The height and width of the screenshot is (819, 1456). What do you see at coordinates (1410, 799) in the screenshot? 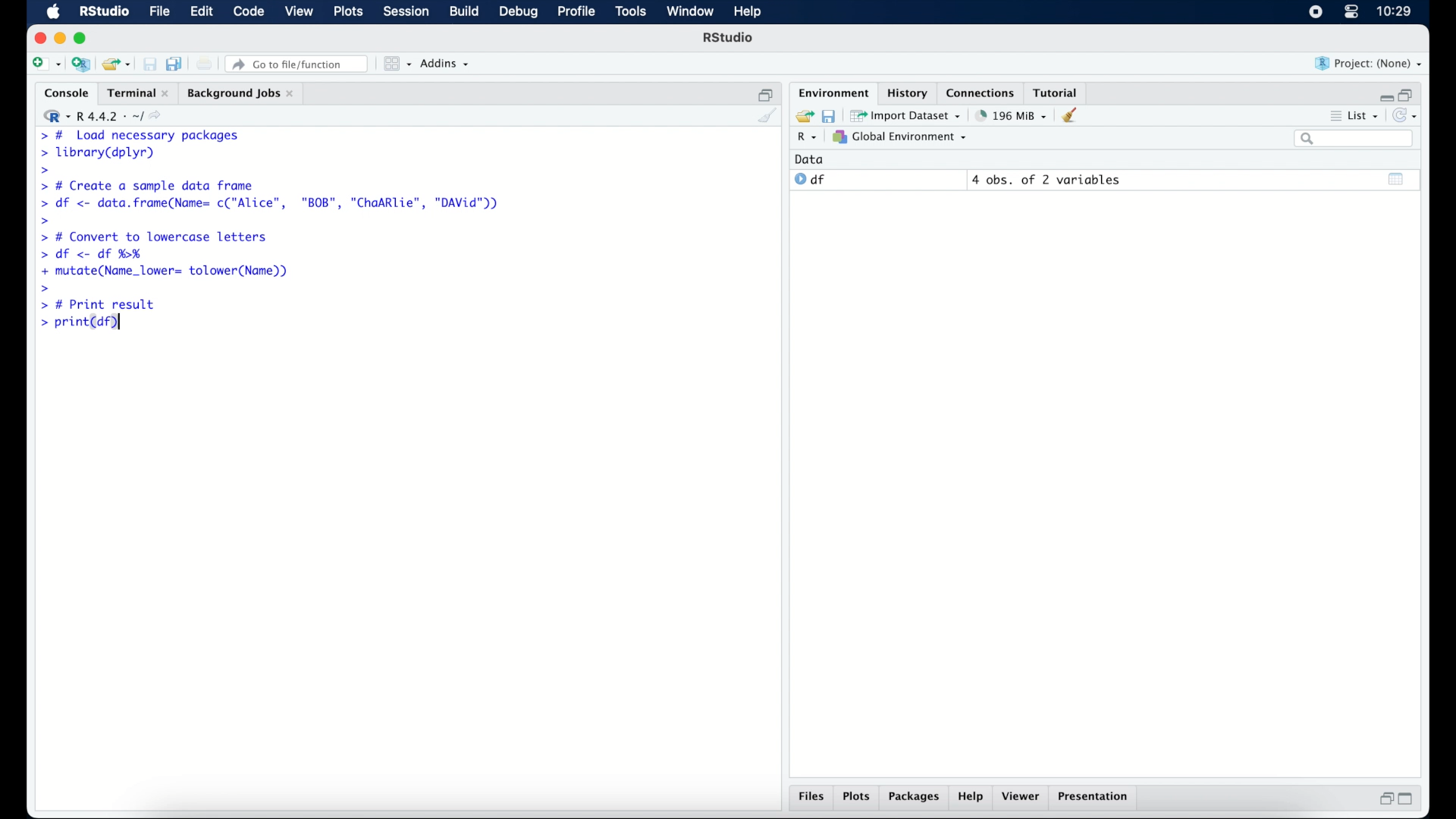
I see `maximize` at bounding box center [1410, 799].